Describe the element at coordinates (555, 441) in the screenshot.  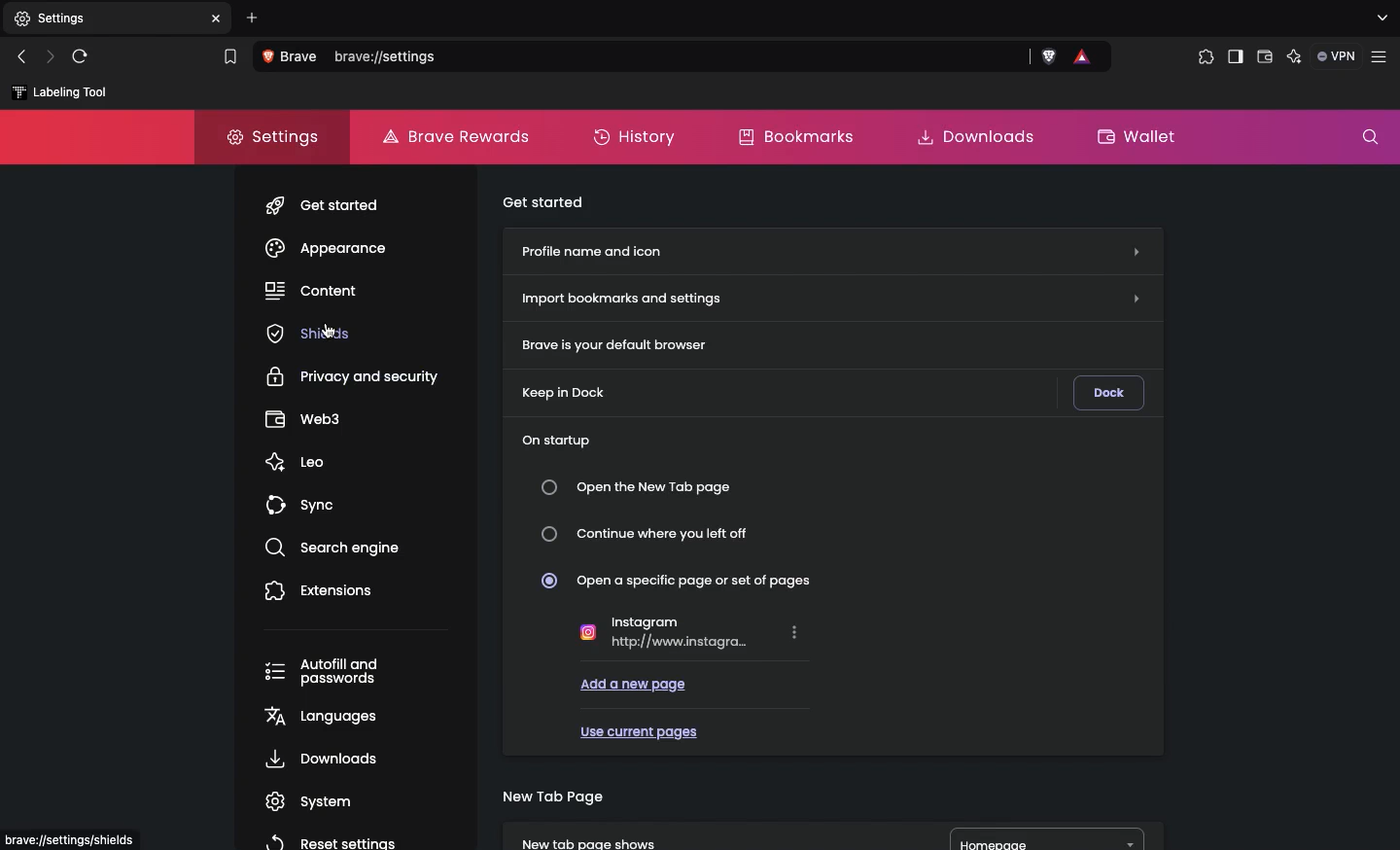
I see `On startup` at that location.